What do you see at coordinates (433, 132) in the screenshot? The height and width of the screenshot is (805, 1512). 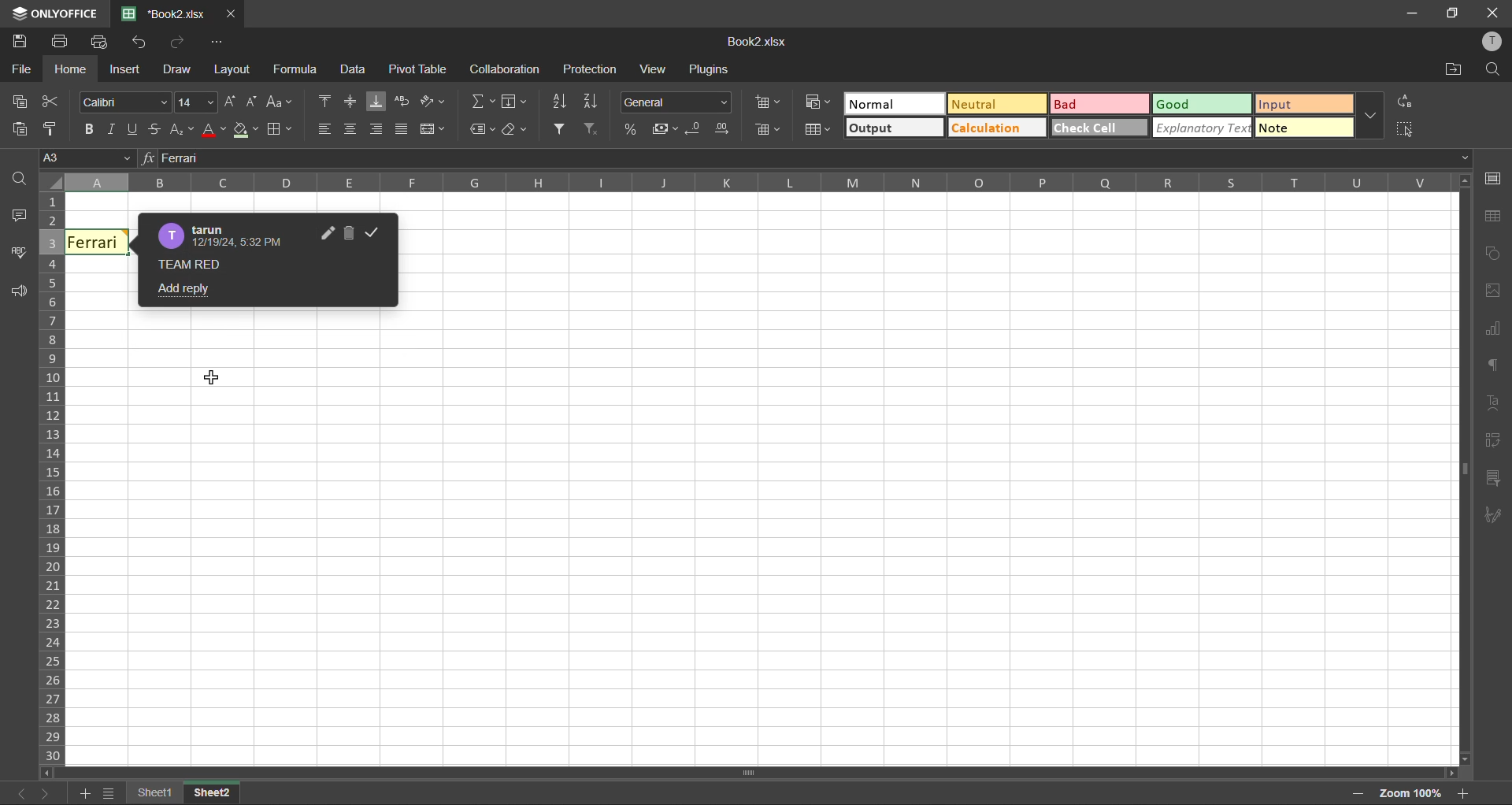 I see `merge and center` at bounding box center [433, 132].